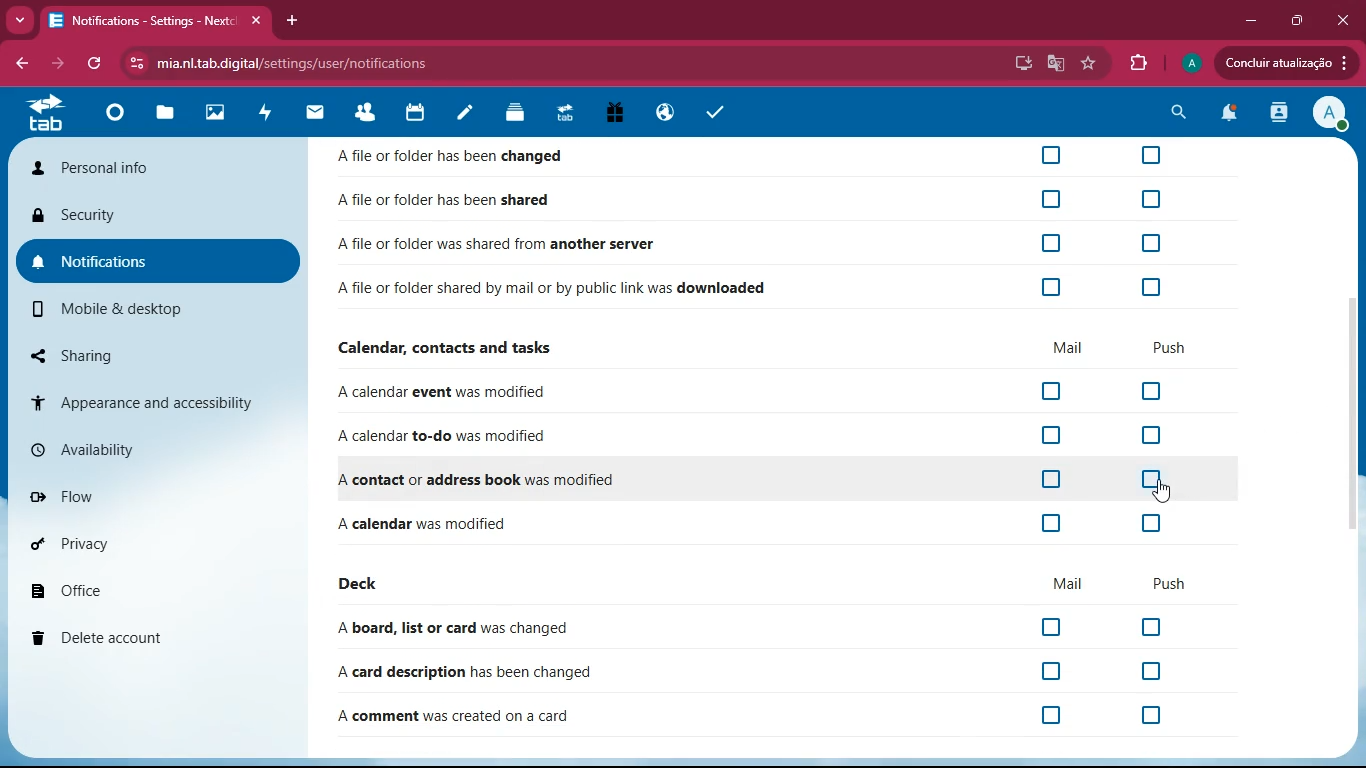  I want to click on notes, so click(466, 115).